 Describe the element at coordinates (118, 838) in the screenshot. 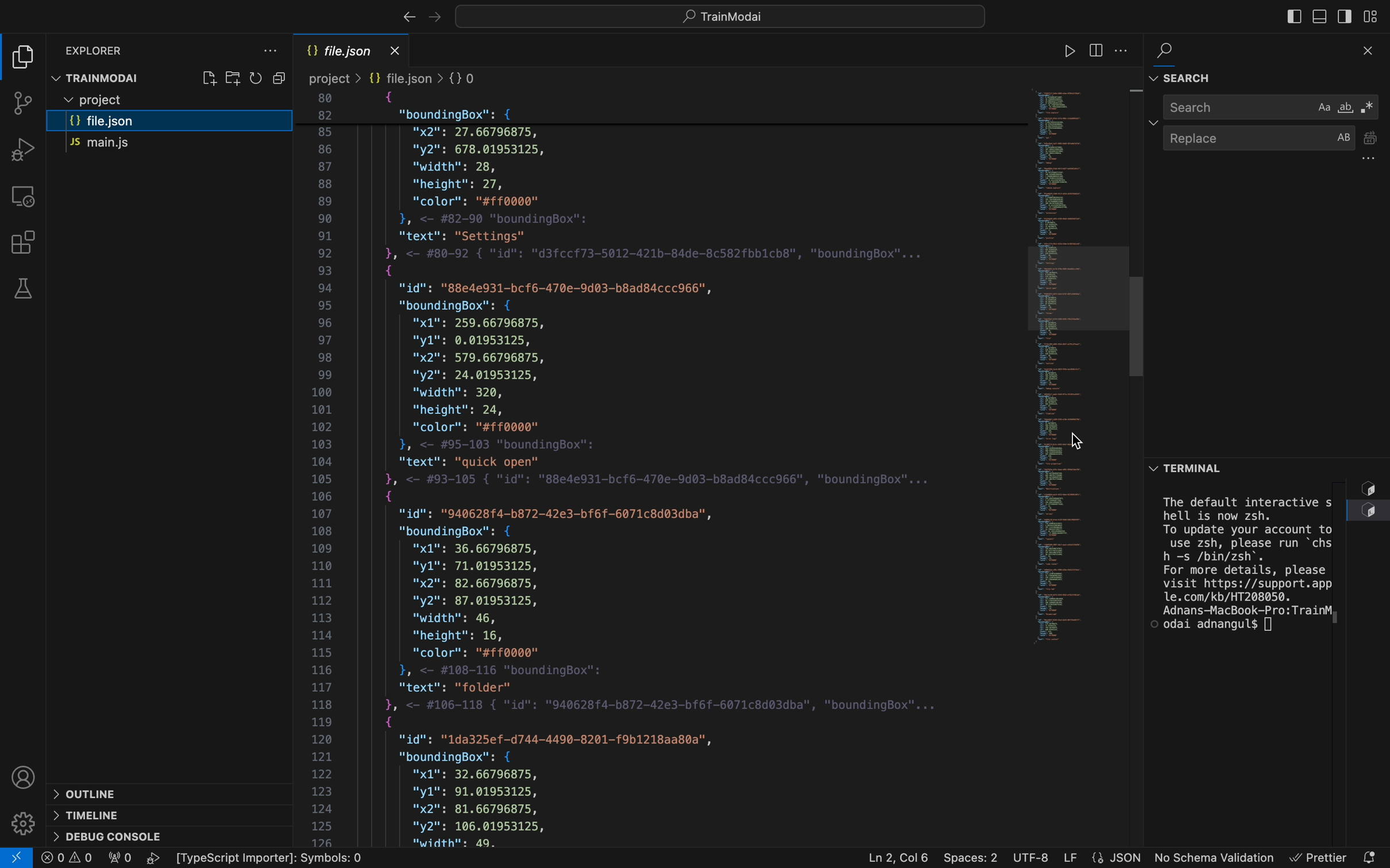

I see `debug` at that location.